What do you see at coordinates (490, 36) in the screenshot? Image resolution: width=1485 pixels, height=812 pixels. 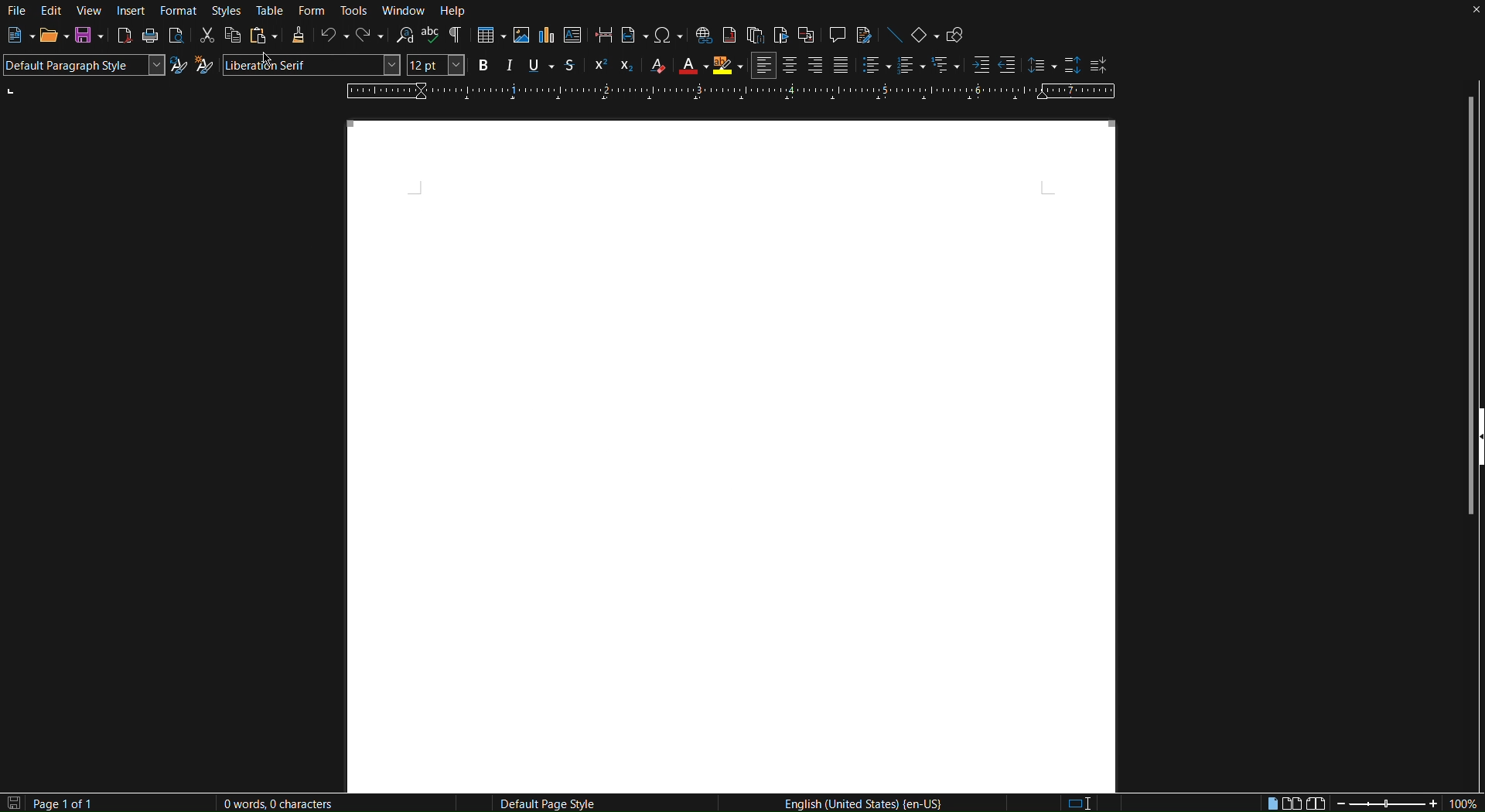 I see `Insert Table` at bounding box center [490, 36].